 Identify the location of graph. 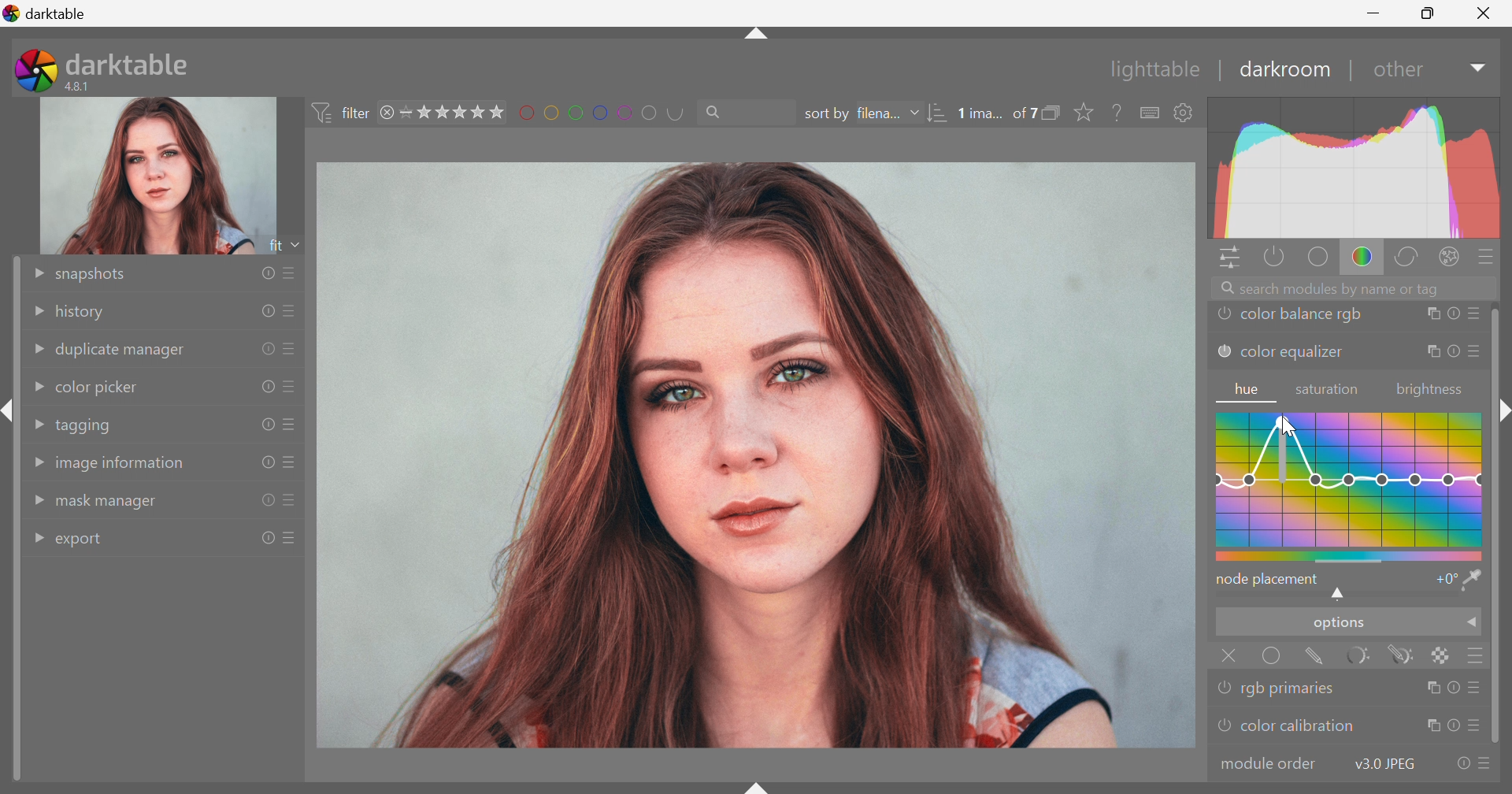
(1354, 168).